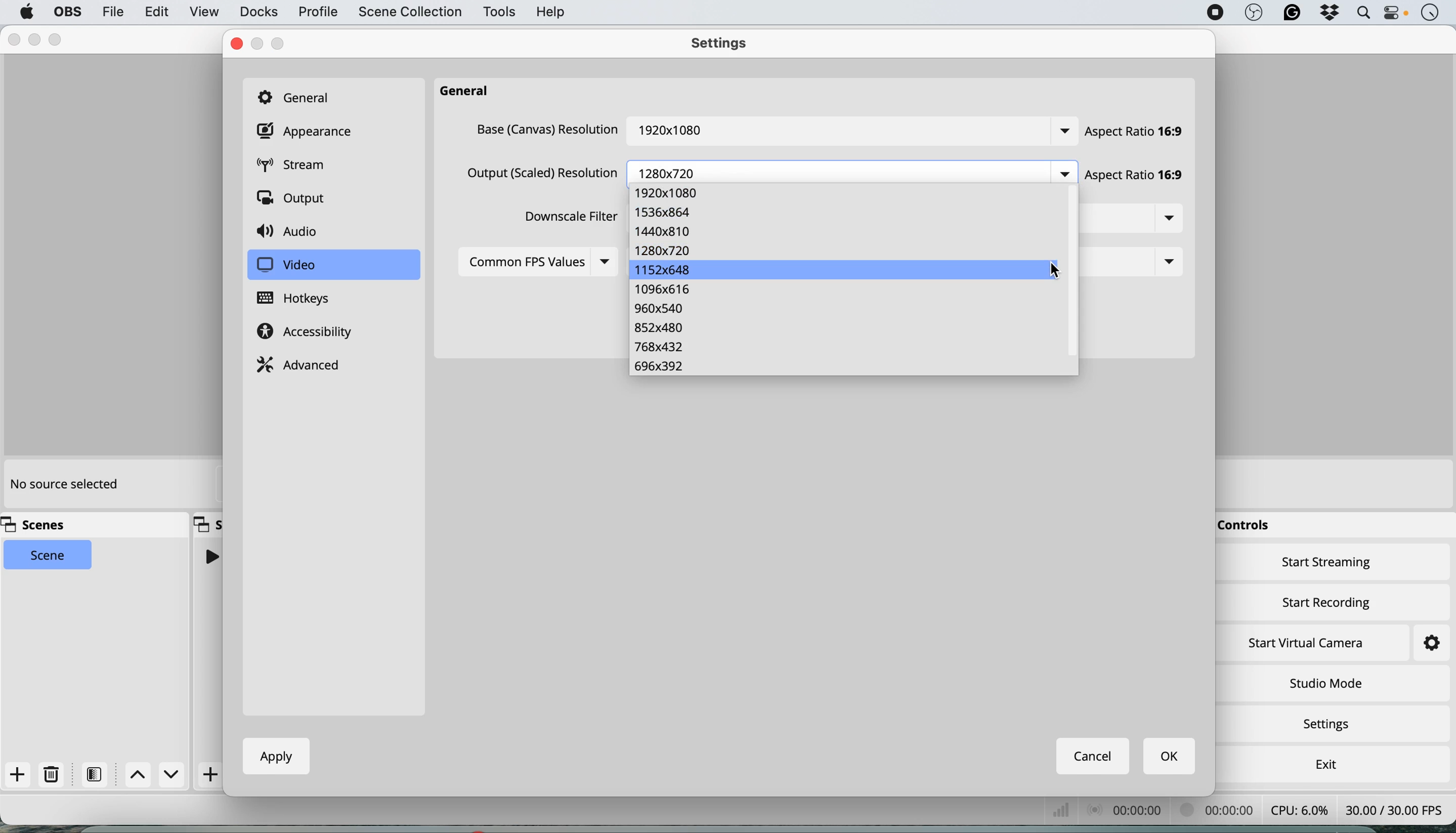  Describe the element at coordinates (1395, 15) in the screenshot. I see `control cener` at that location.